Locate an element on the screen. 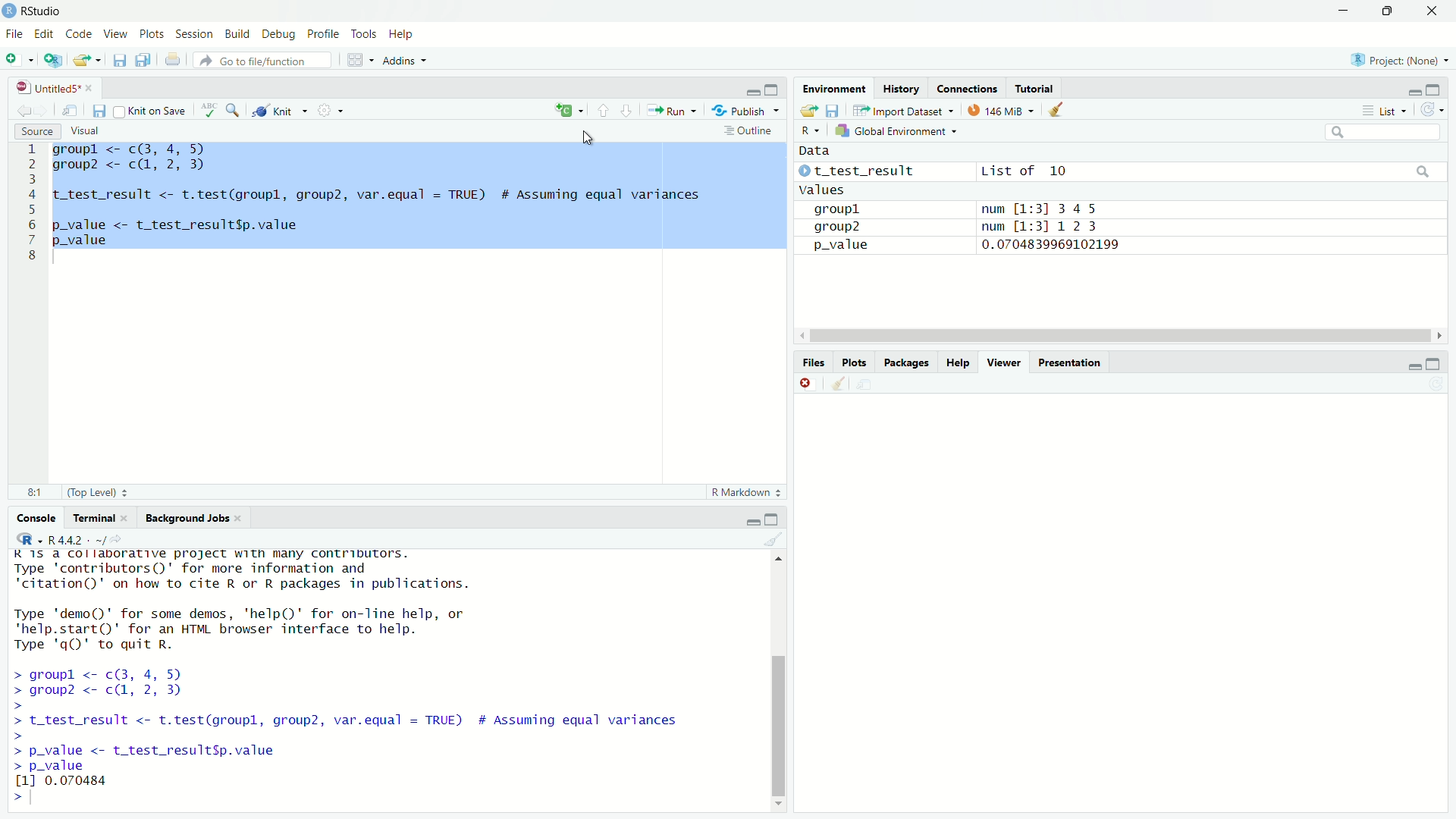  scroll bar is located at coordinates (775, 679).